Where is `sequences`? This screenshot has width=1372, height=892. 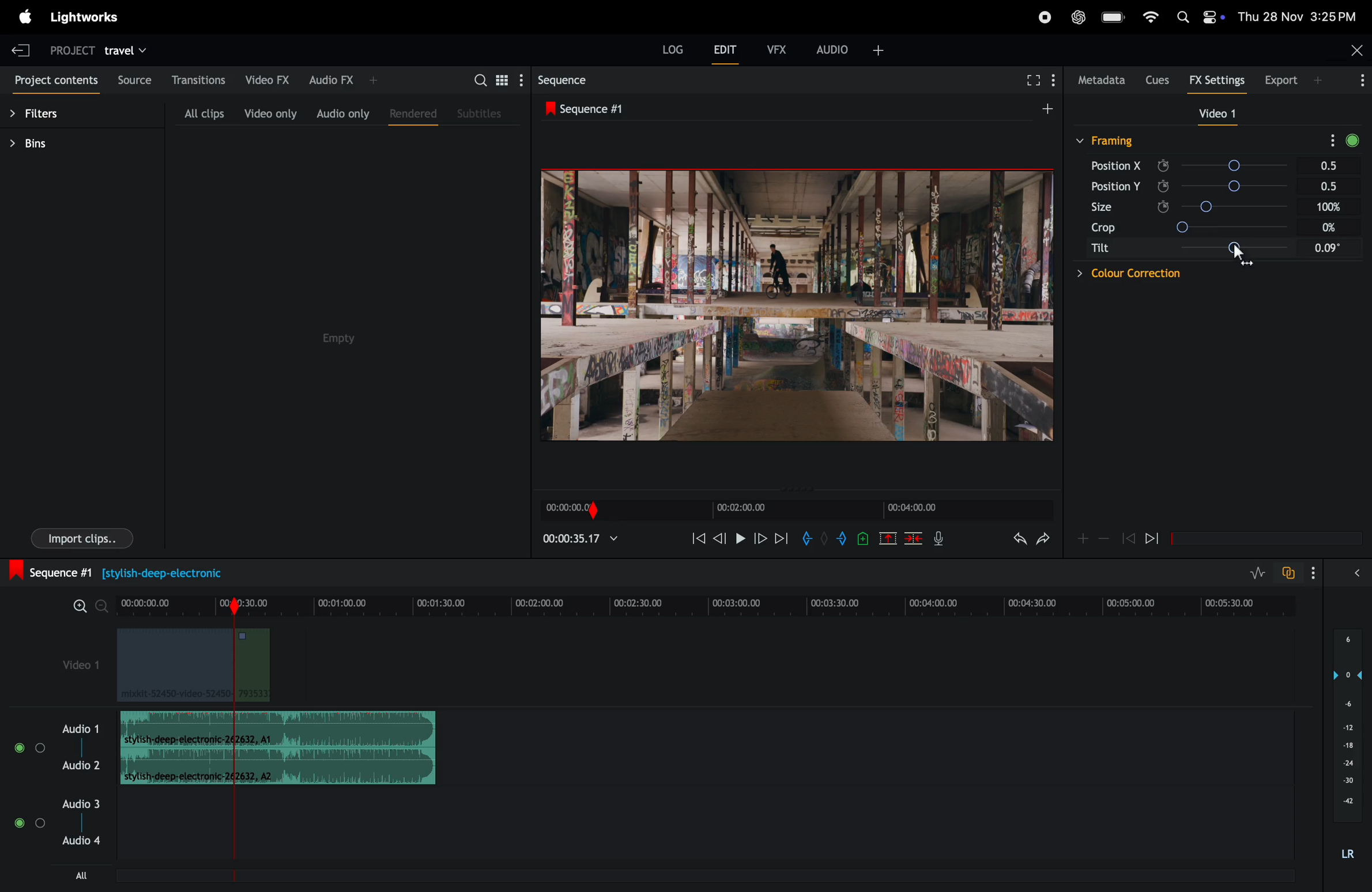 sequences is located at coordinates (569, 80).